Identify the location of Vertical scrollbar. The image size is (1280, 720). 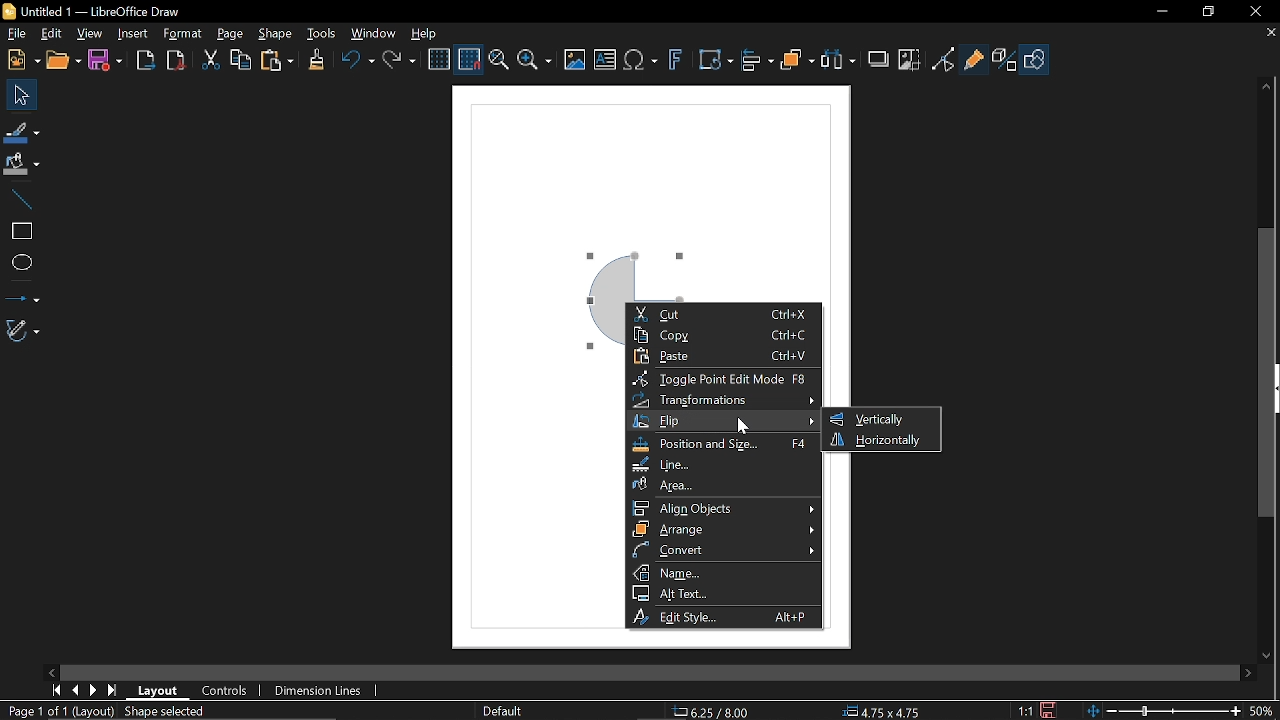
(1267, 371).